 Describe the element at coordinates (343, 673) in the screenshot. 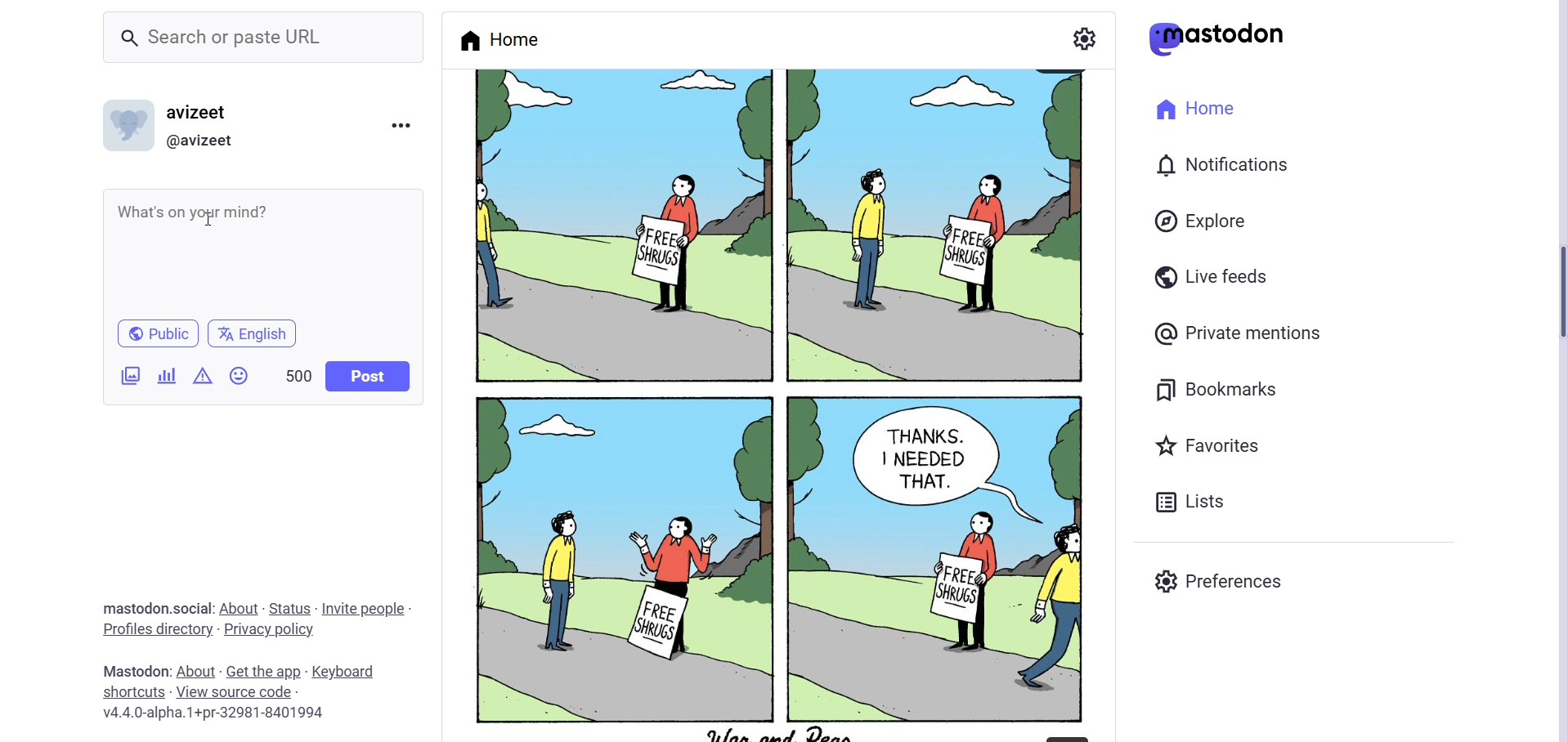

I see `Keyboard` at that location.